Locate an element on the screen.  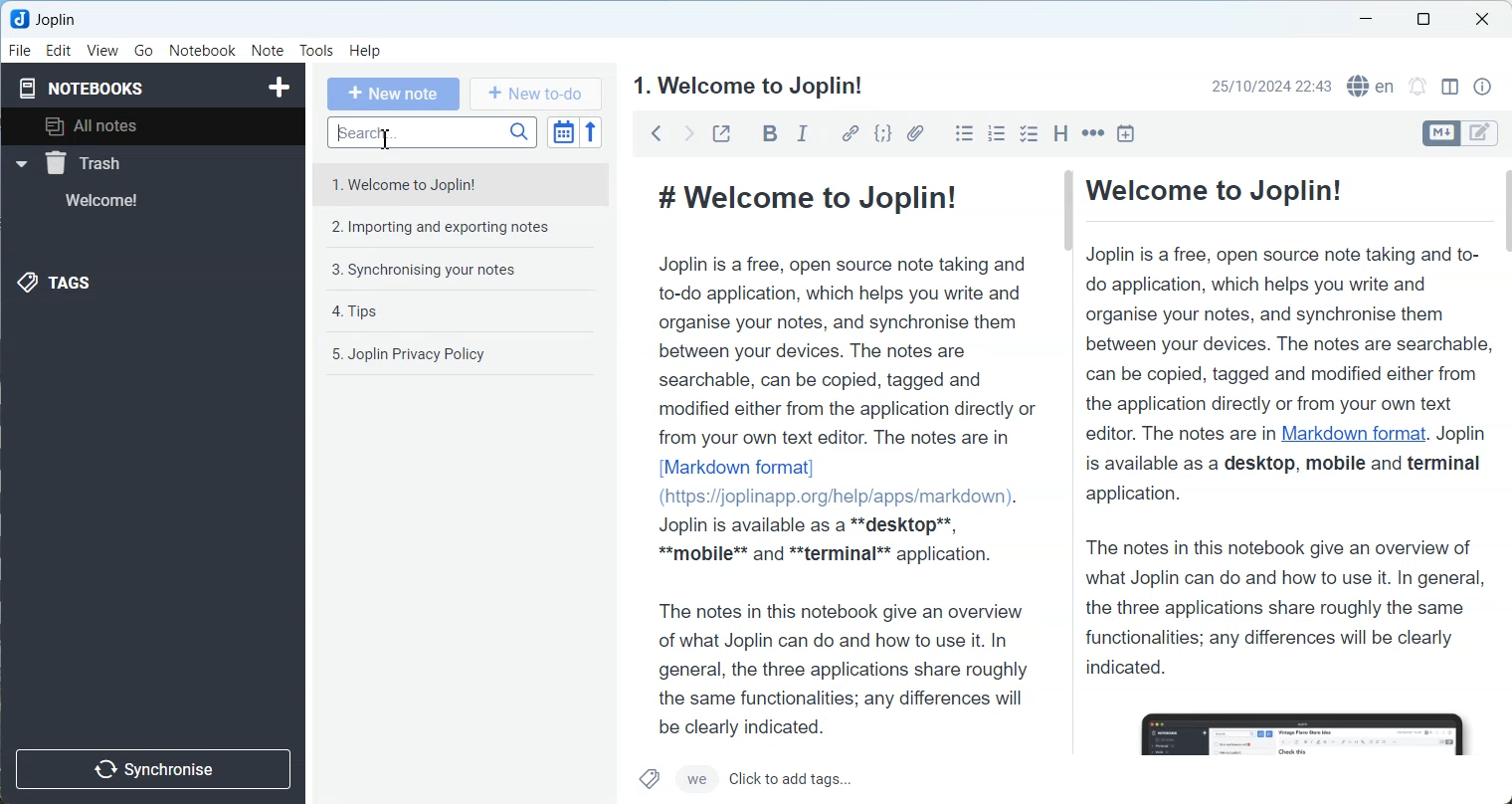
Edit is located at coordinates (60, 51).